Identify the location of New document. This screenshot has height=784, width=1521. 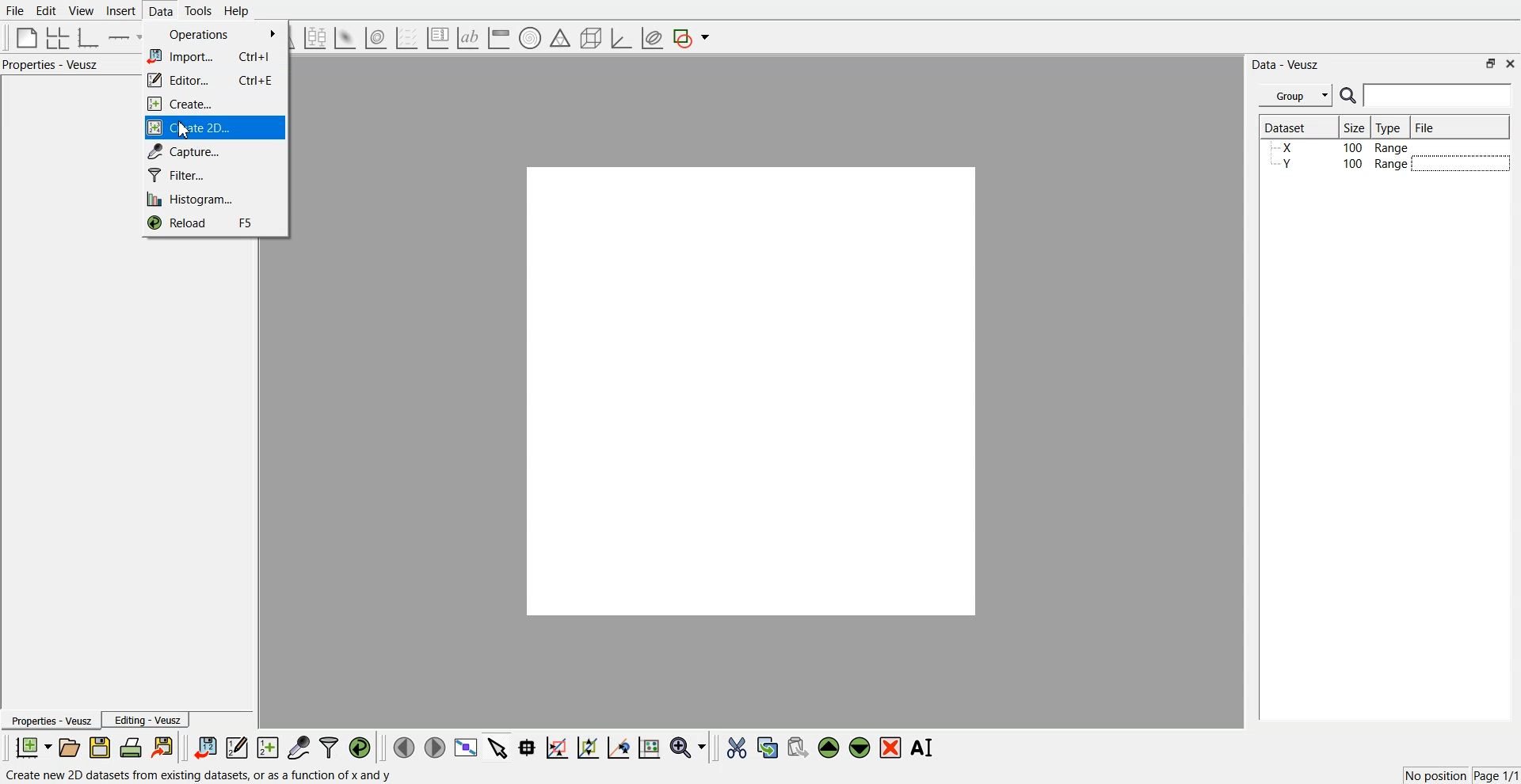
(32, 747).